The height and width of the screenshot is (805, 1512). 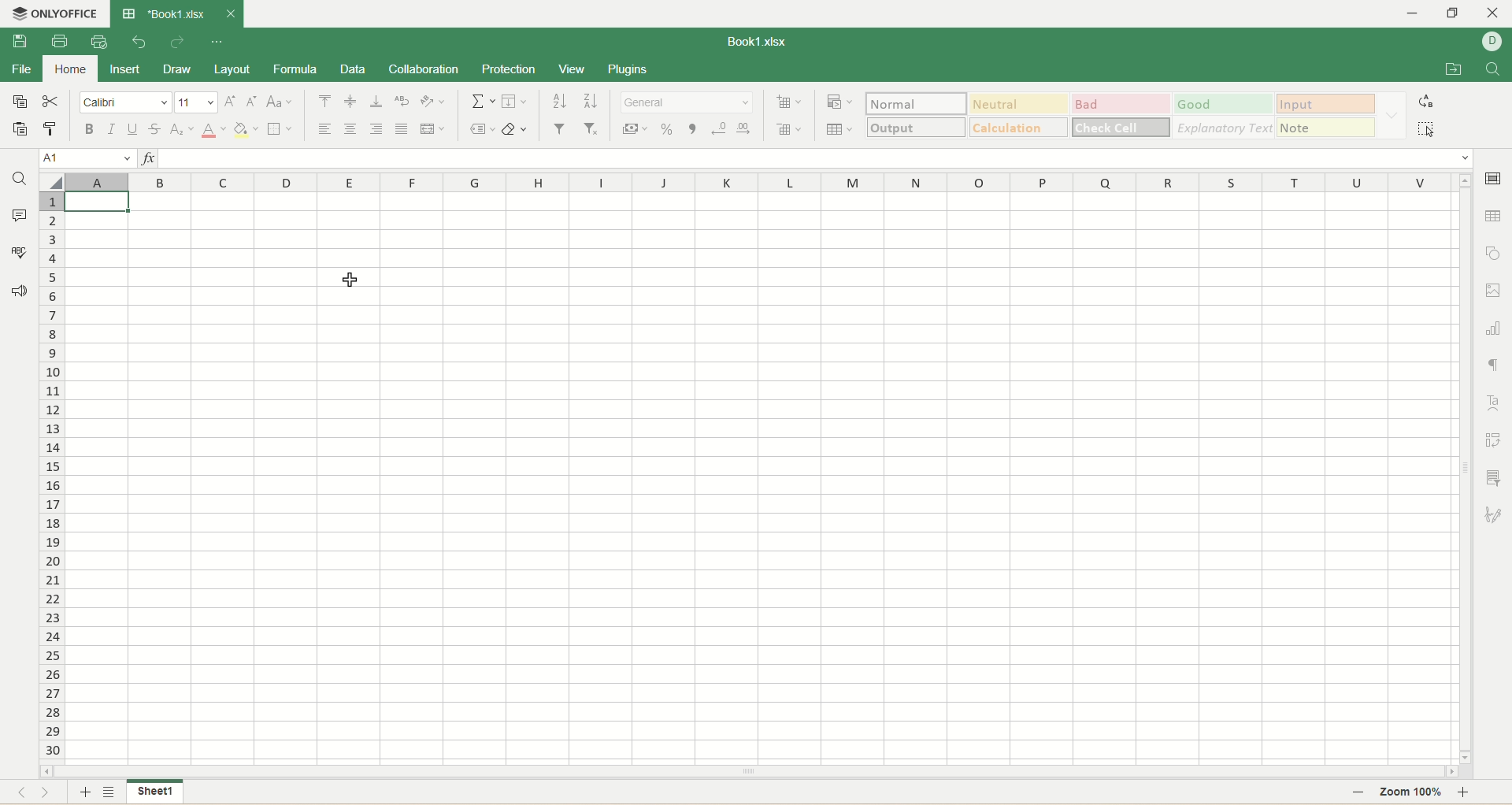 I want to click on signature settings, so click(x=1495, y=515).